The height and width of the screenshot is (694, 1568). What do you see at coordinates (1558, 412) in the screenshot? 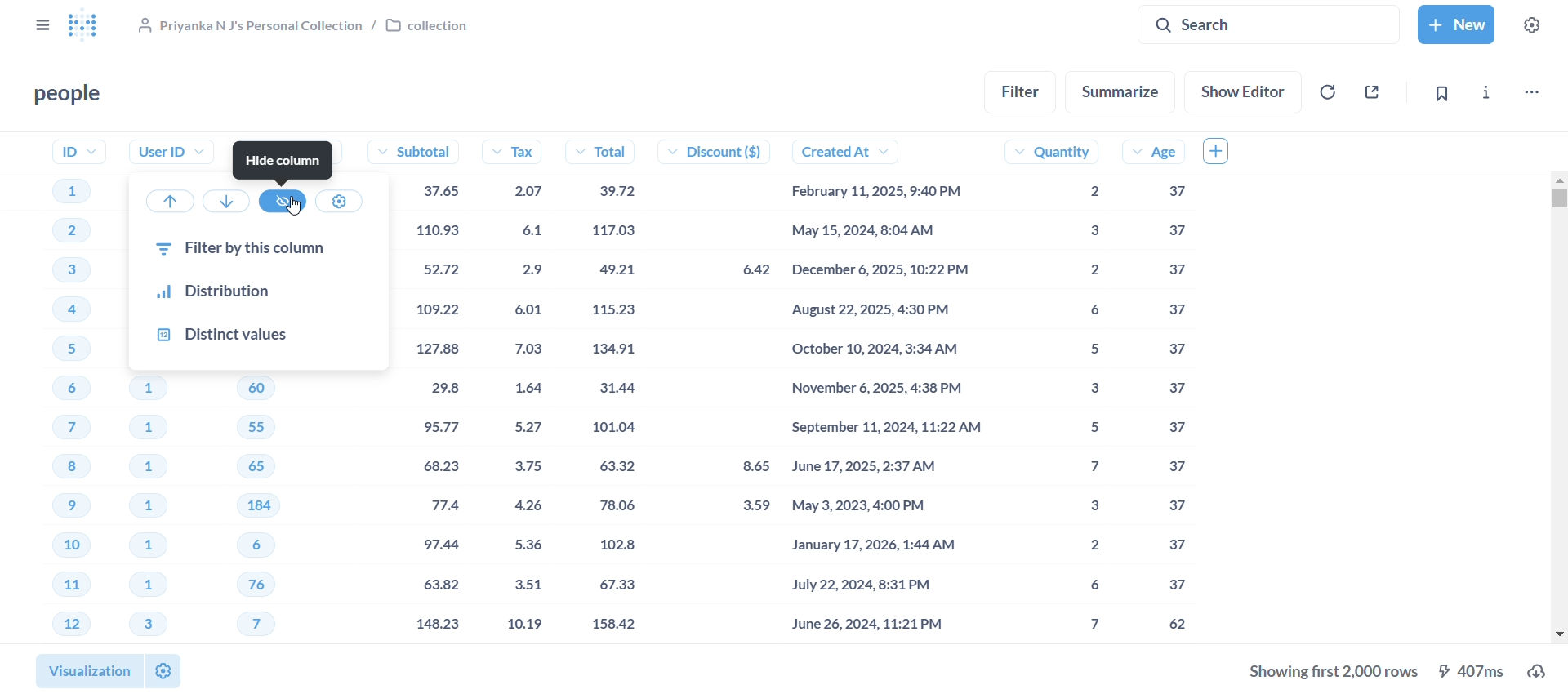
I see `vertical scroll bar` at bounding box center [1558, 412].